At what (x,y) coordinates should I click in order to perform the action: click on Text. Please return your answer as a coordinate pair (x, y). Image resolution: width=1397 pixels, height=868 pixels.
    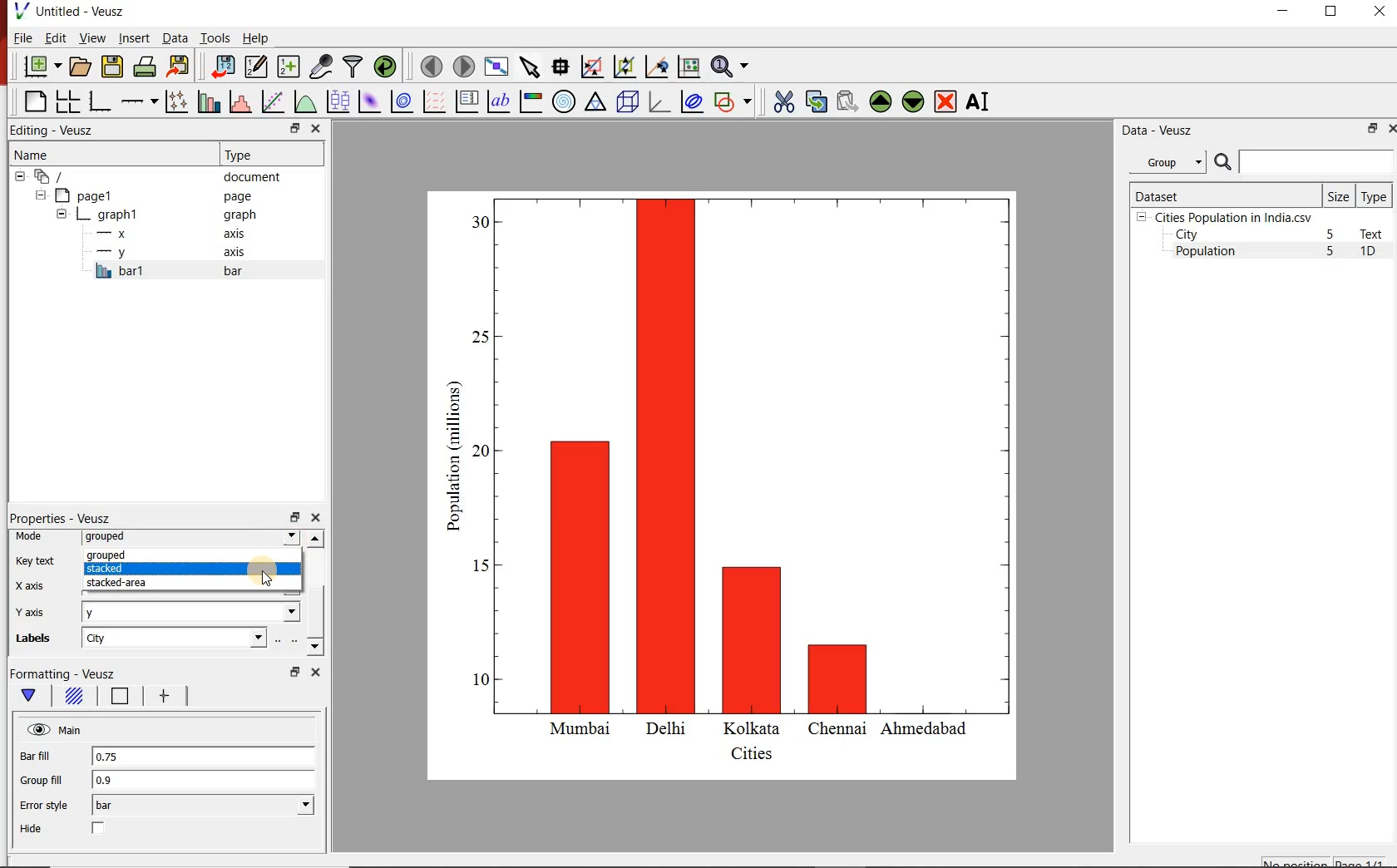
    Looking at the image, I should click on (1375, 234).